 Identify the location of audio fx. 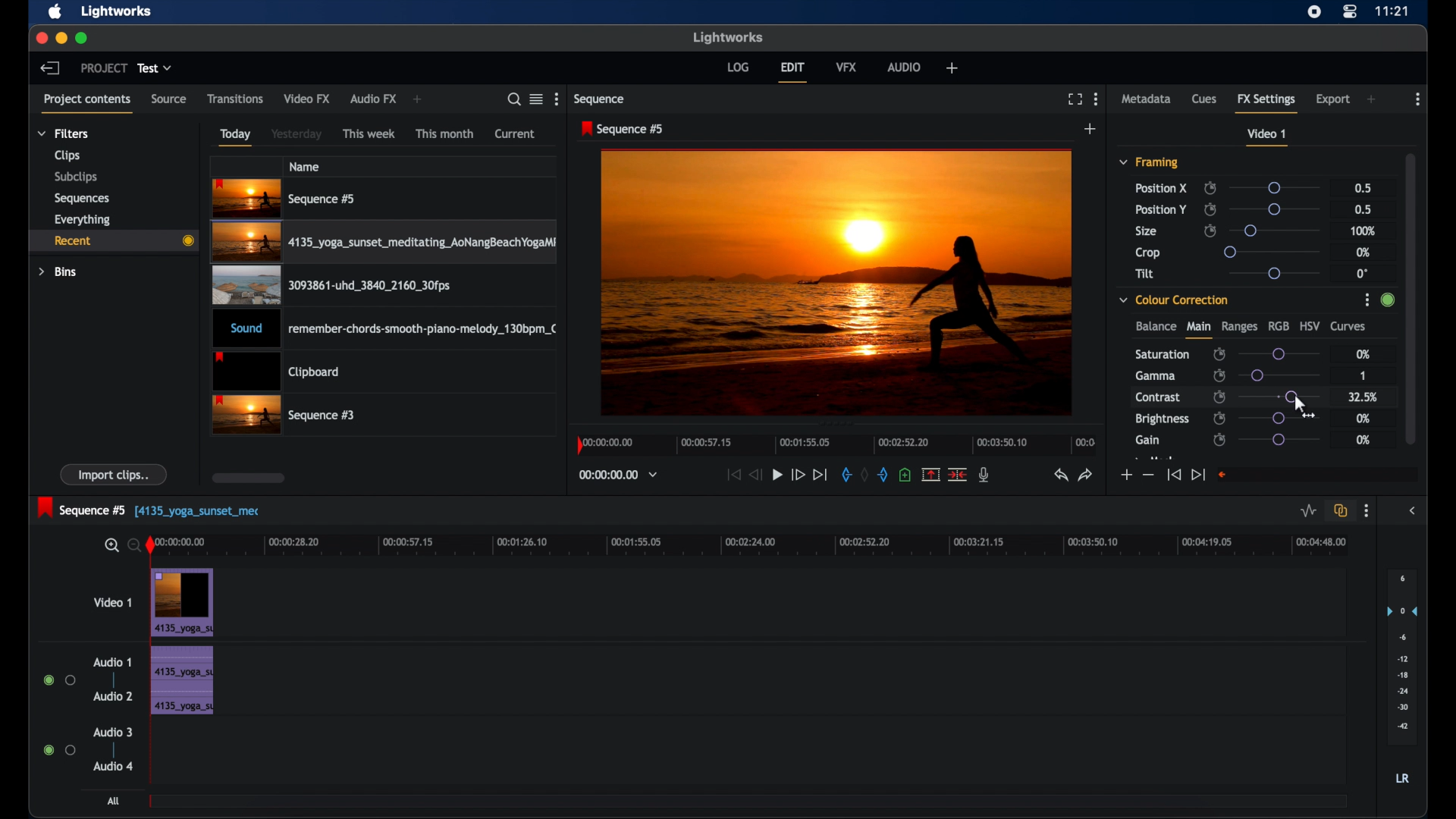
(373, 99).